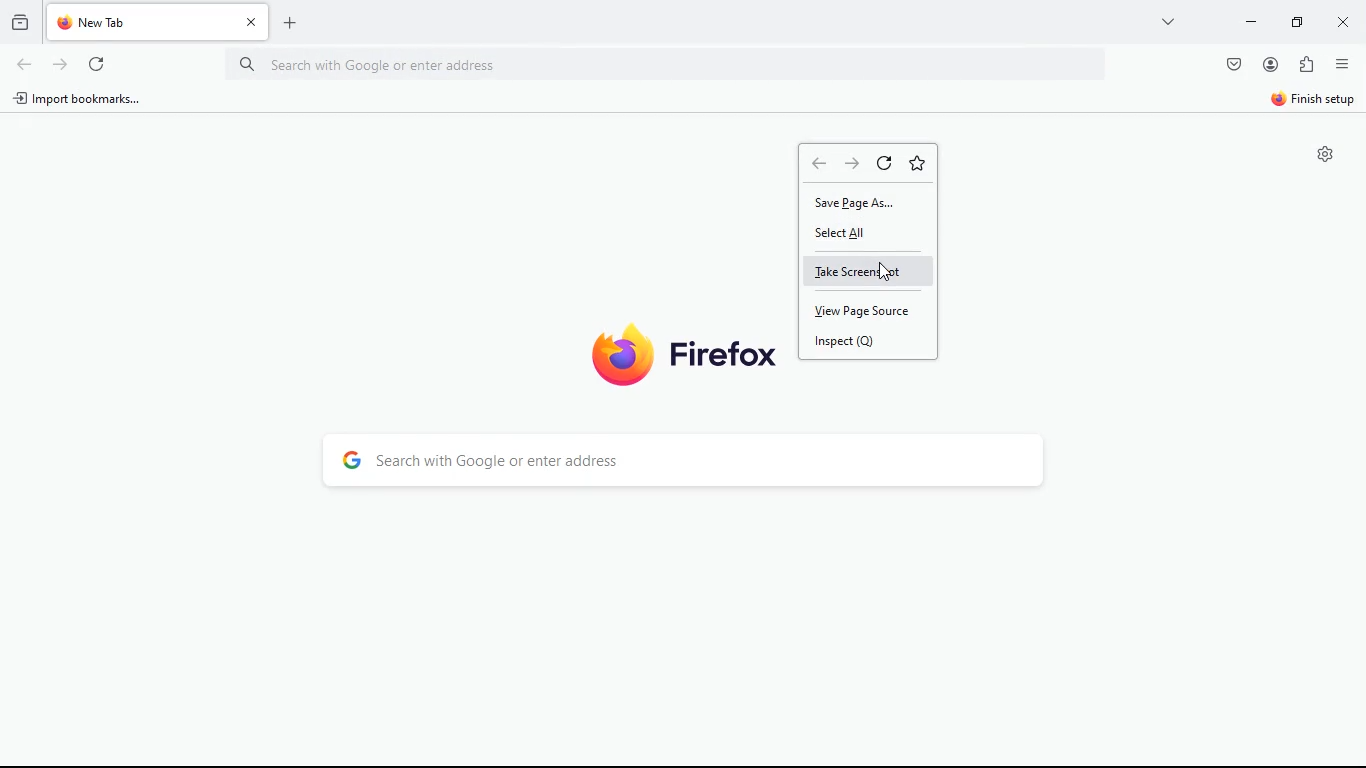 The image size is (1366, 768). I want to click on refresh, so click(59, 64).